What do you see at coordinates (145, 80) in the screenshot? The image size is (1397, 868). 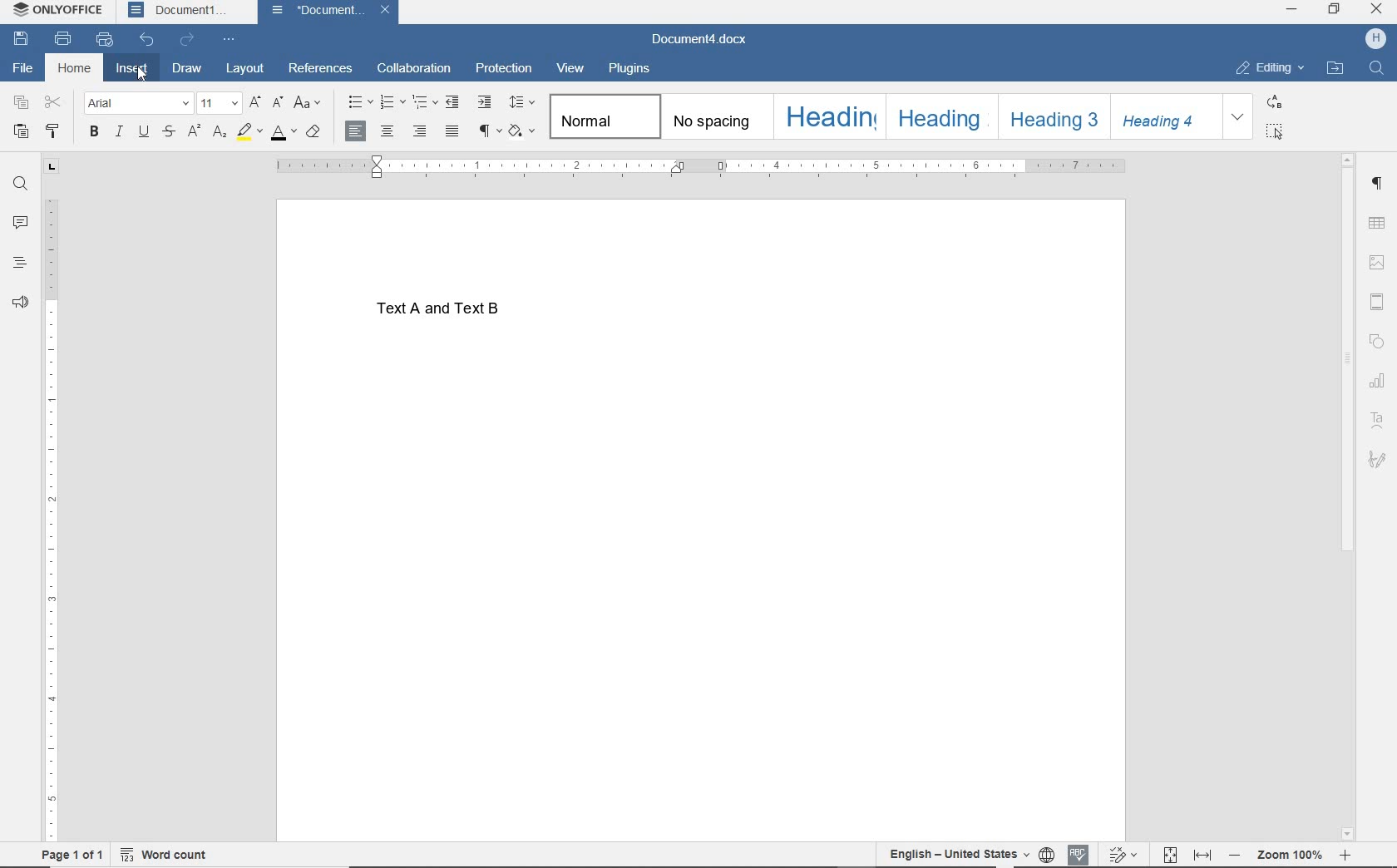 I see `cursor` at bounding box center [145, 80].